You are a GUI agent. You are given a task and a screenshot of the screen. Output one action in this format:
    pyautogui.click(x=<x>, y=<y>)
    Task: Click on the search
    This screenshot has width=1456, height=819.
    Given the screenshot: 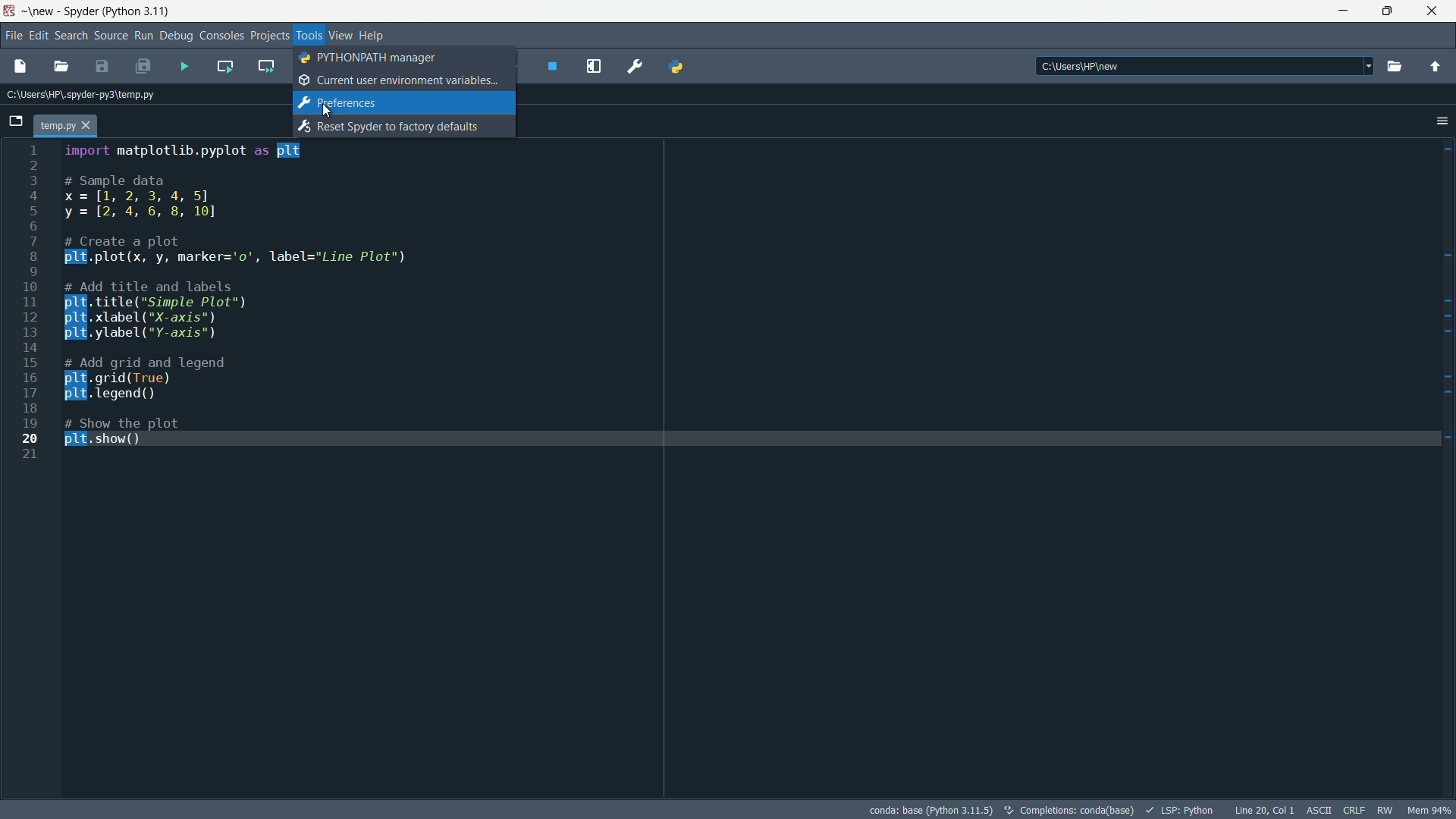 What is the action you would take?
    pyautogui.click(x=71, y=35)
    